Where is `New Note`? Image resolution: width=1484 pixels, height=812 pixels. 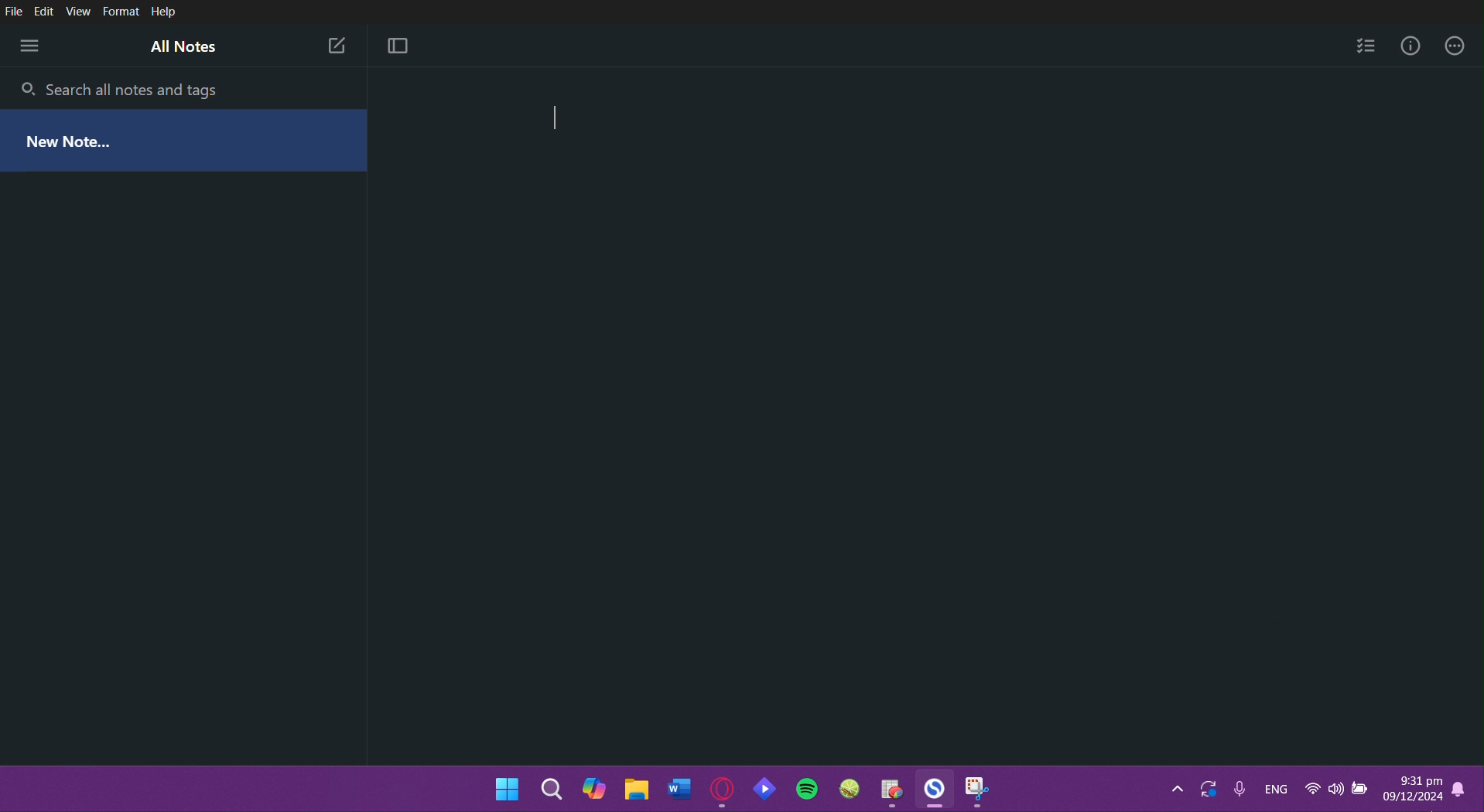 New Note is located at coordinates (334, 43).